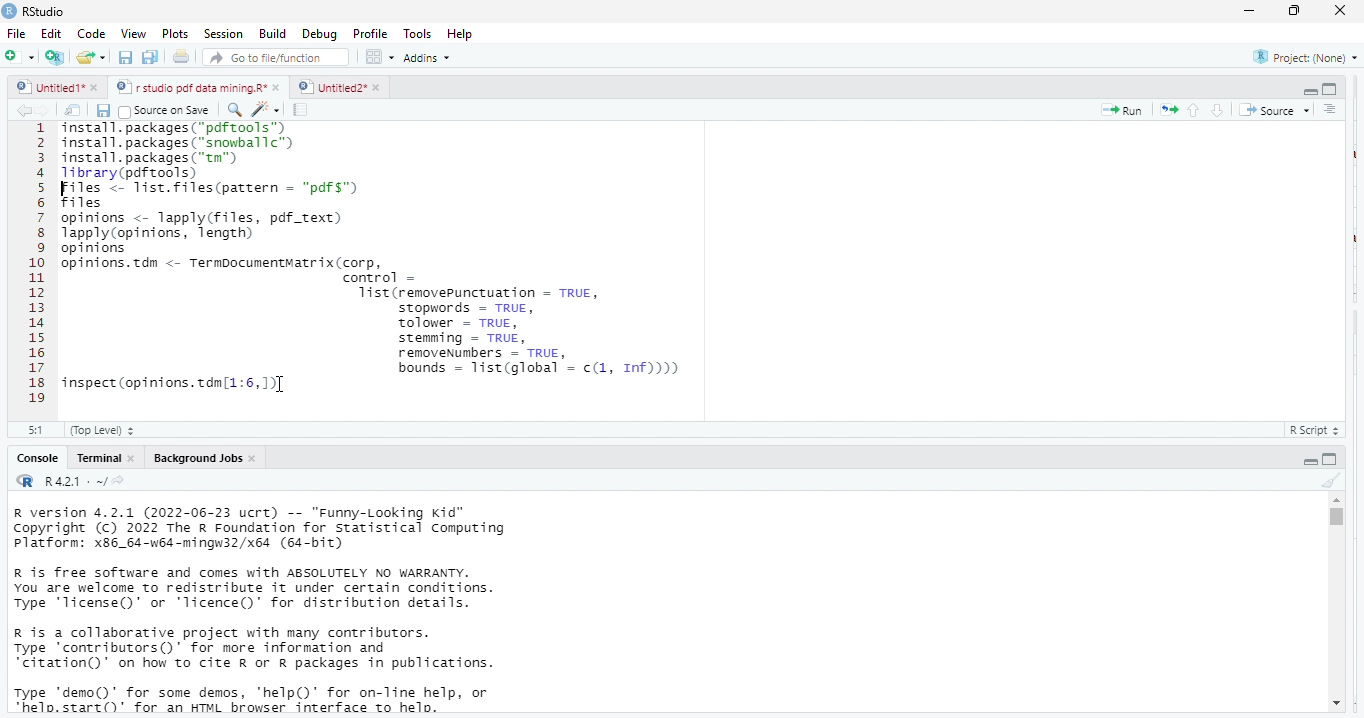 The width and height of the screenshot is (1364, 718). I want to click on close, so click(376, 87).